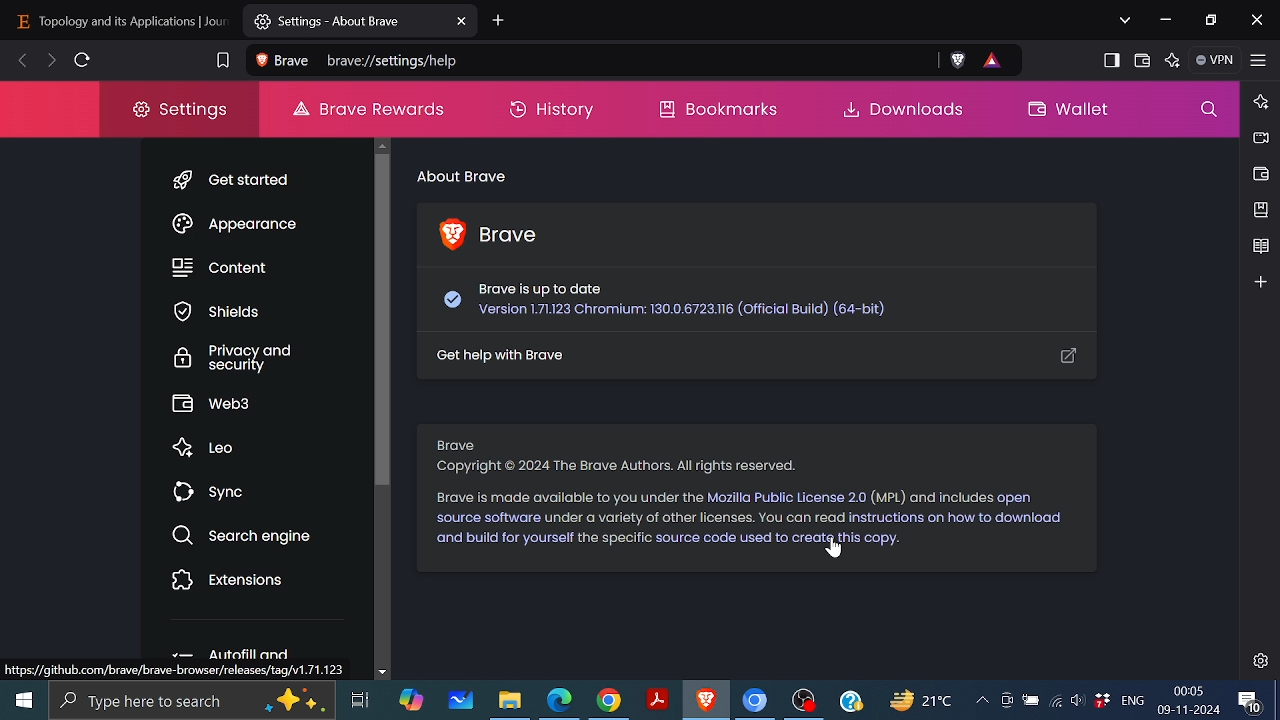 Image resolution: width=1280 pixels, height=720 pixels. Describe the element at coordinates (168, 110) in the screenshot. I see `Settings` at that location.